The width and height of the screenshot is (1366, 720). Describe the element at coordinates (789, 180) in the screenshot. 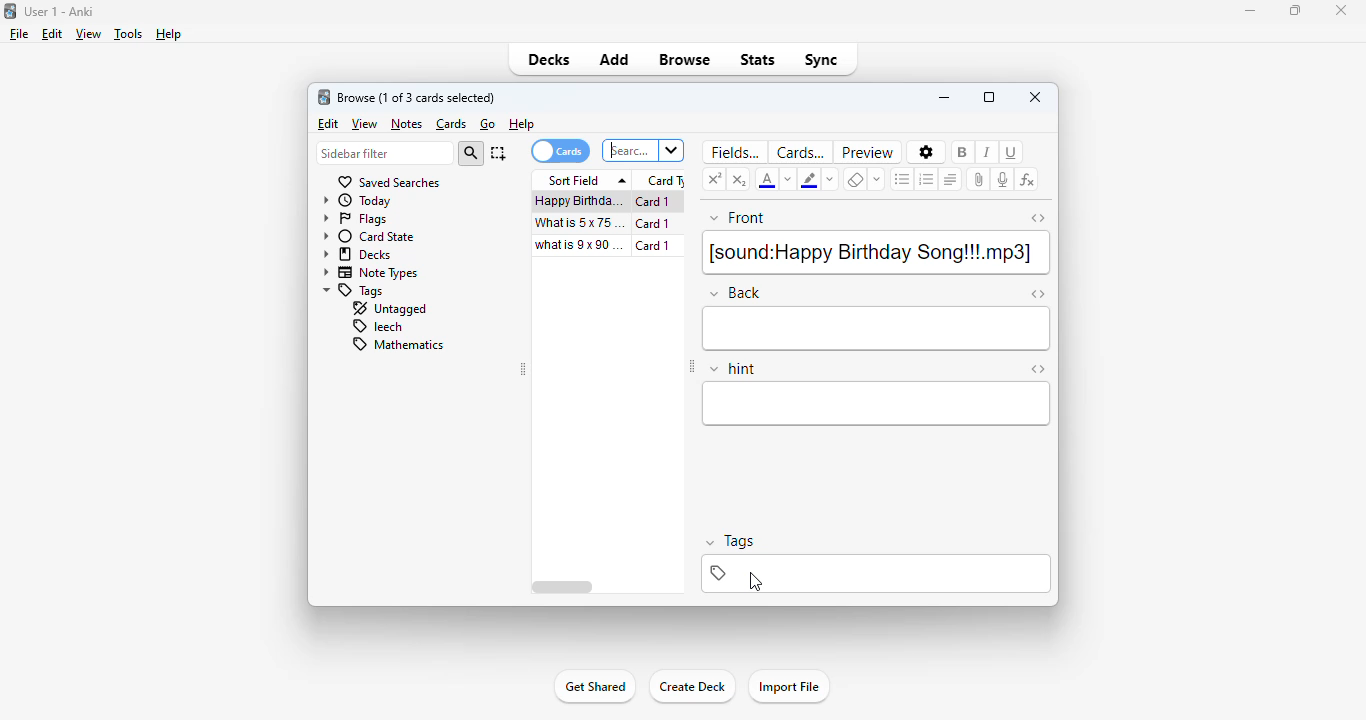

I see `change color` at that location.